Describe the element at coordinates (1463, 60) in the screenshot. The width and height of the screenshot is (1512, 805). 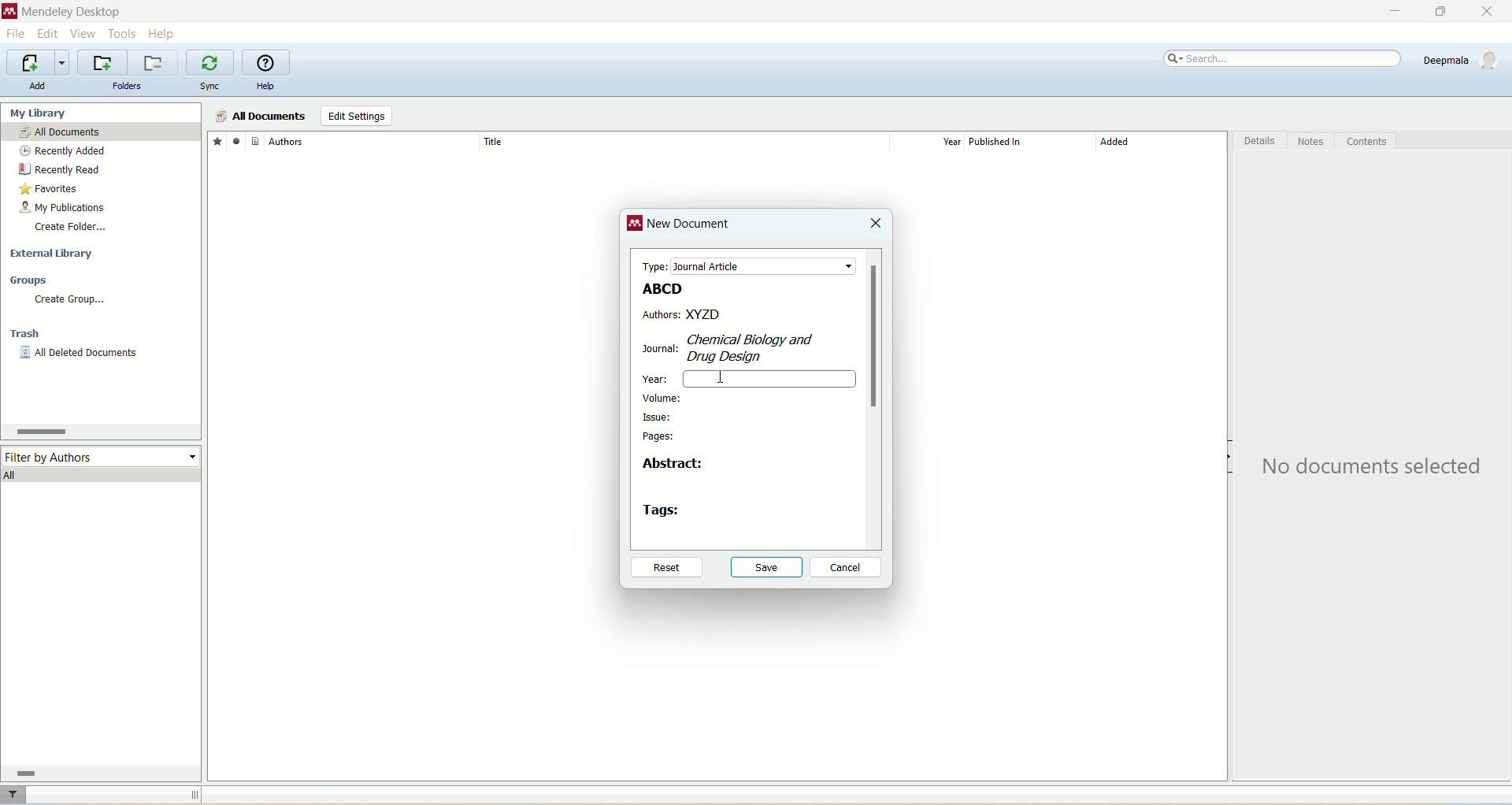
I see `account` at that location.